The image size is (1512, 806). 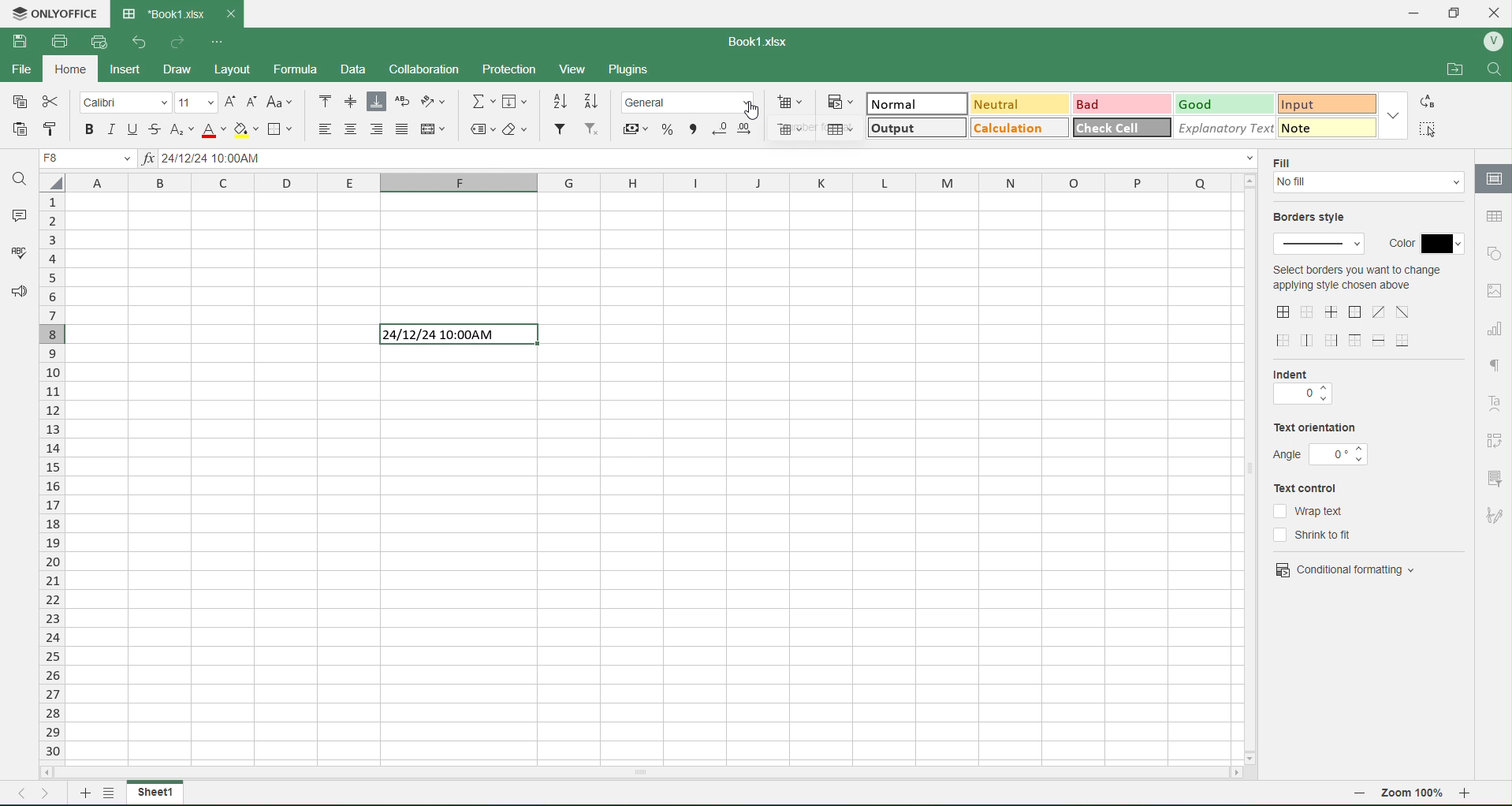 I want to click on border style, so click(x=1321, y=245).